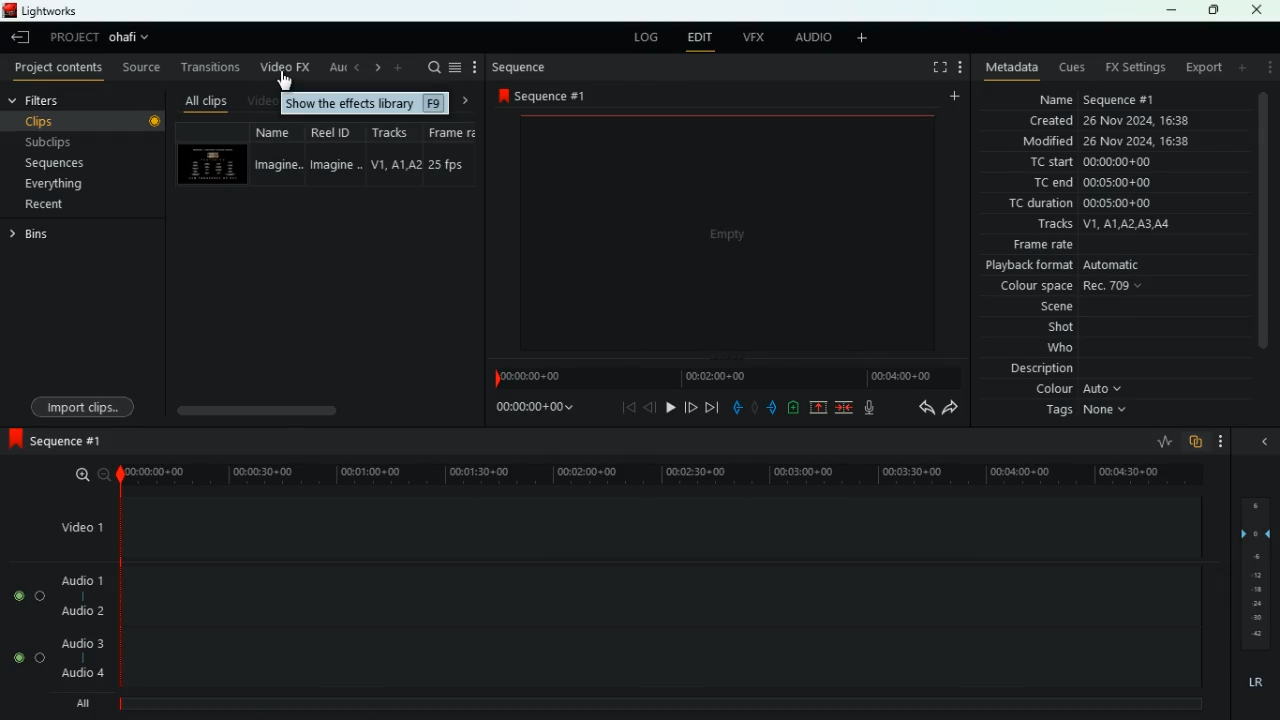  Describe the element at coordinates (814, 409) in the screenshot. I see `up` at that location.